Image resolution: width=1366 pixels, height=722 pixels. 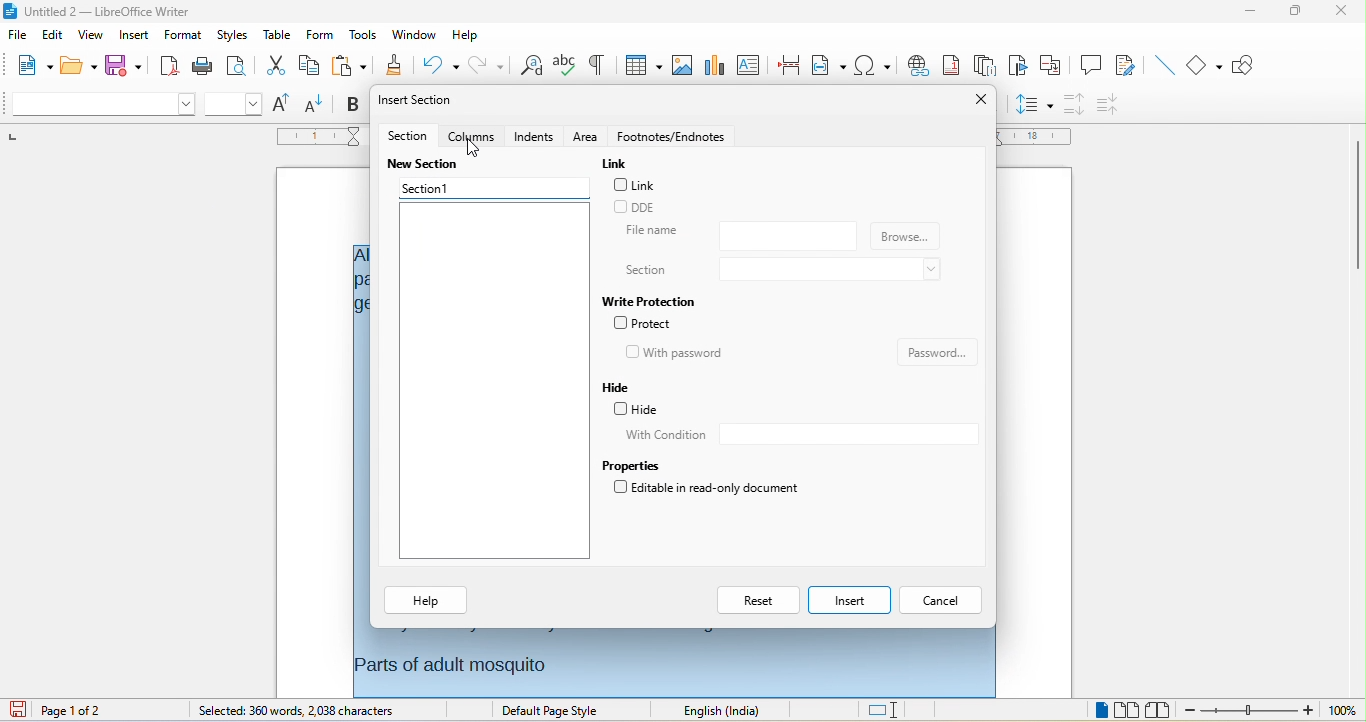 What do you see at coordinates (987, 67) in the screenshot?
I see `endnote` at bounding box center [987, 67].